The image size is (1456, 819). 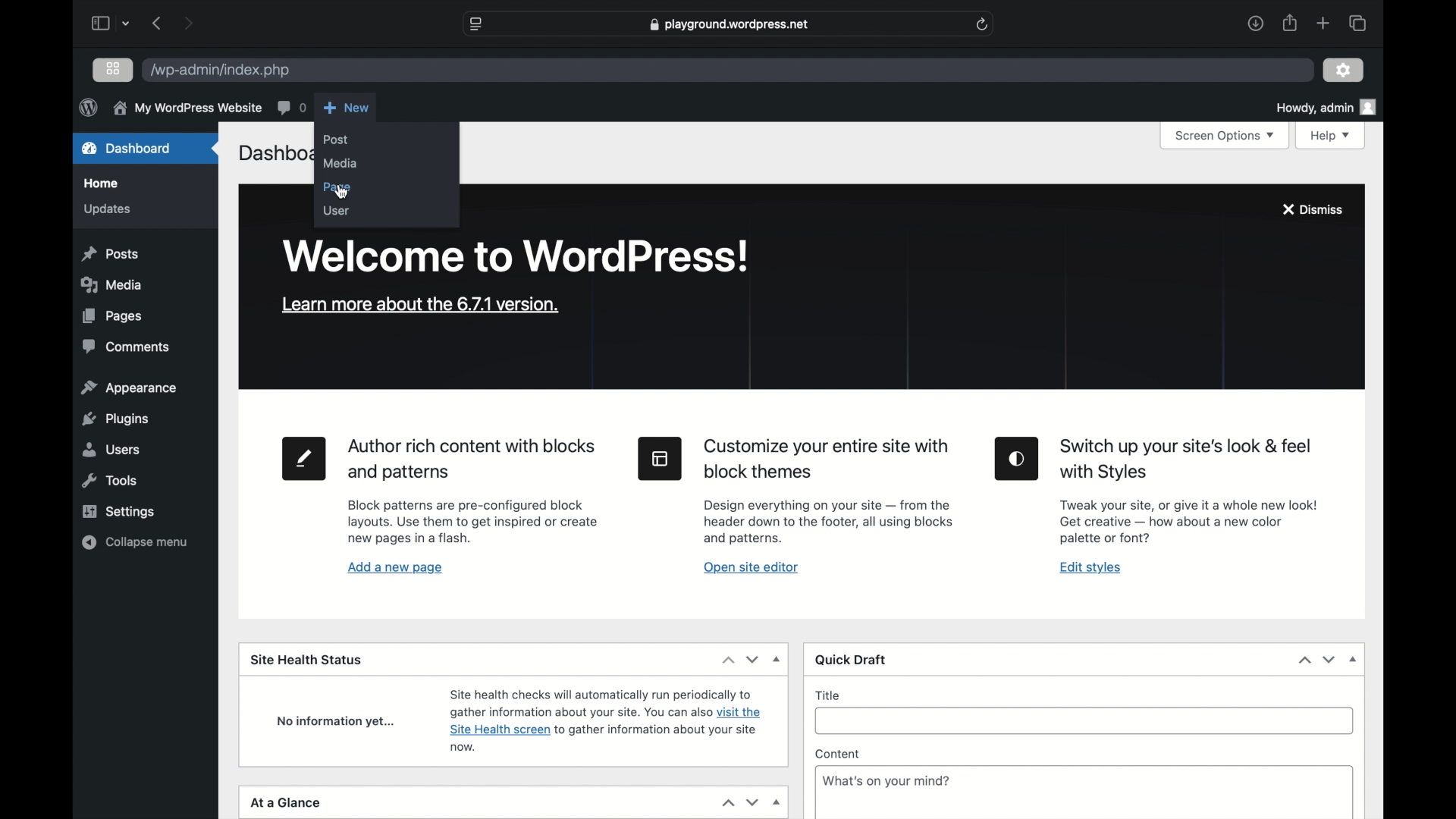 I want to click on content, so click(x=838, y=755).